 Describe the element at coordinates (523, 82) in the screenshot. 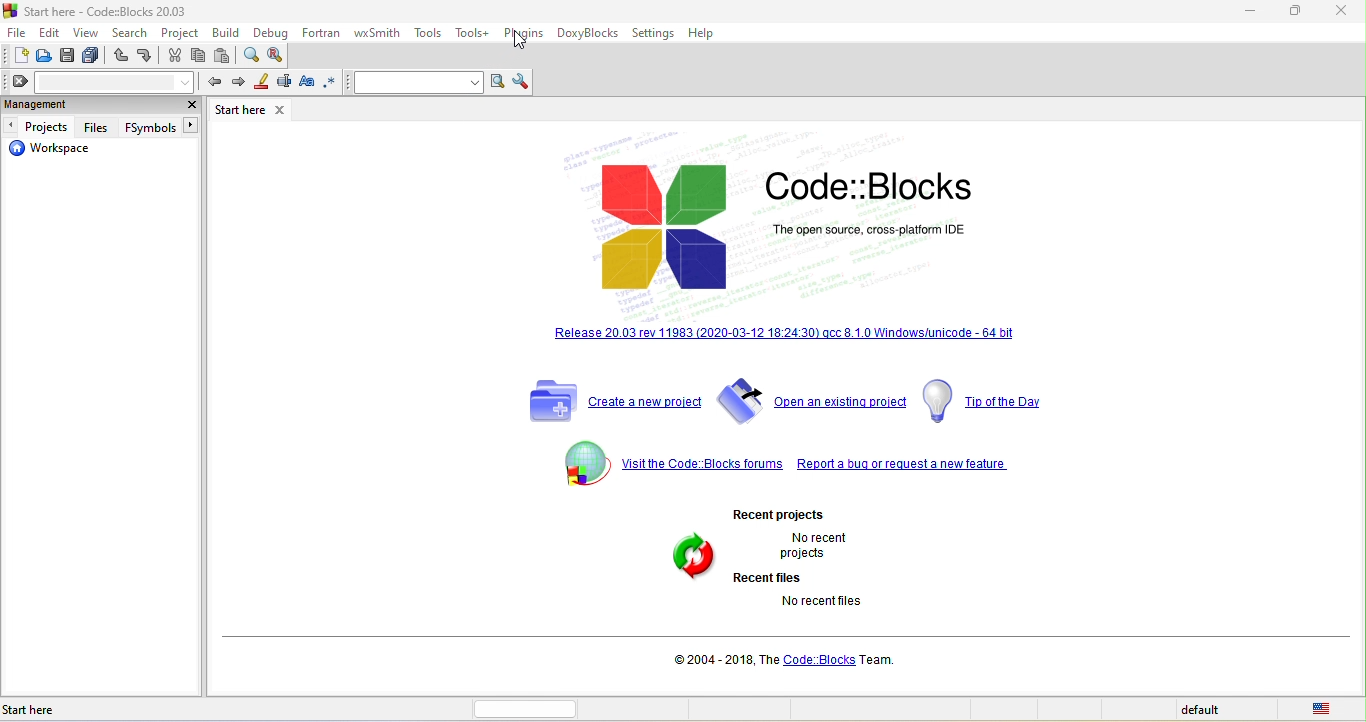

I see `show option window` at that location.